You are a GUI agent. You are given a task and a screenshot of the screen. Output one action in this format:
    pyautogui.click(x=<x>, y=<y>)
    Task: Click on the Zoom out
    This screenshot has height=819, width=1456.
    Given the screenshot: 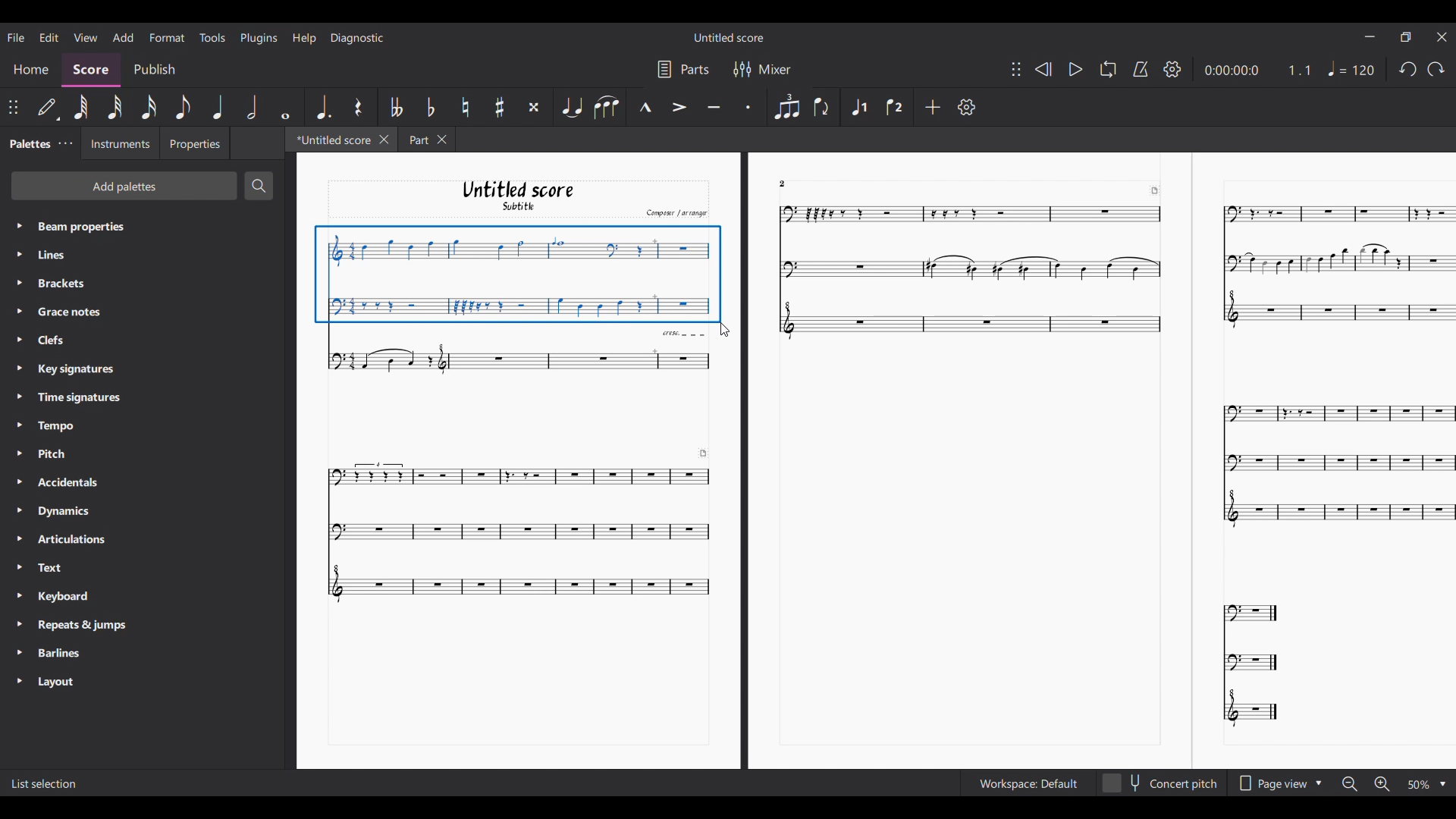 What is the action you would take?
    pyautogui.click(x=1350, y=785)
    